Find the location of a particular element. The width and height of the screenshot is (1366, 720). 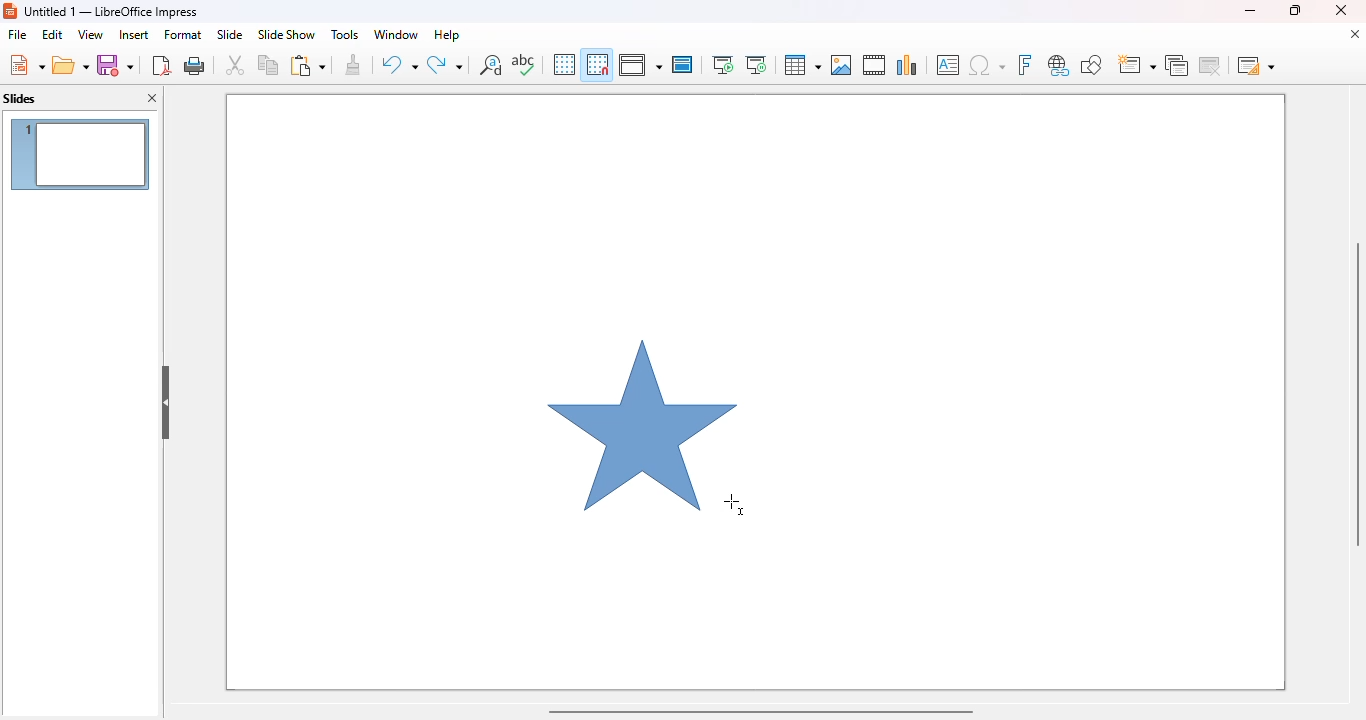

display views is located at coordinates (640, 65).